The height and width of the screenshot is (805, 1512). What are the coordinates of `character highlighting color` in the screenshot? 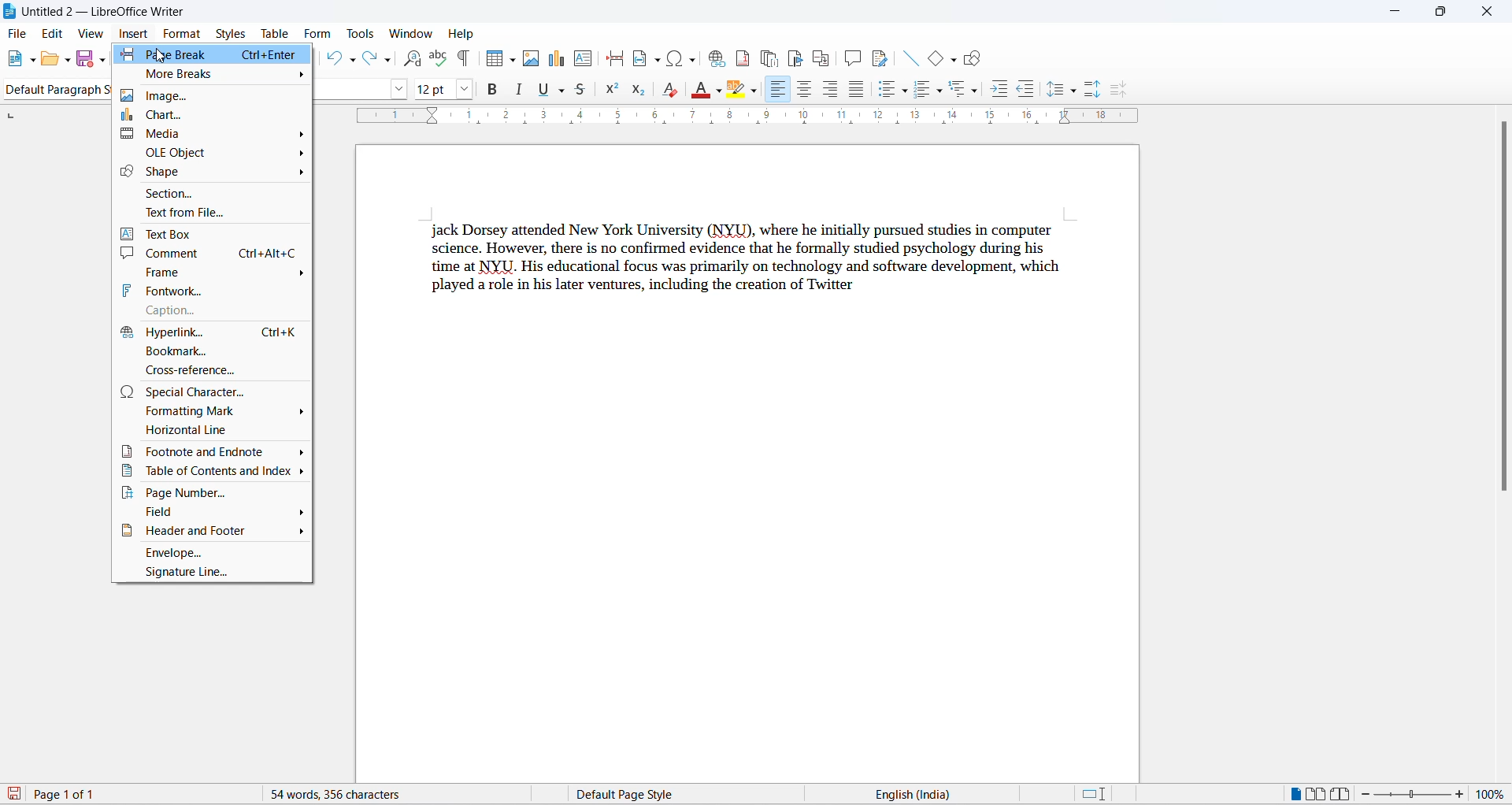 It's located at (760, 89).